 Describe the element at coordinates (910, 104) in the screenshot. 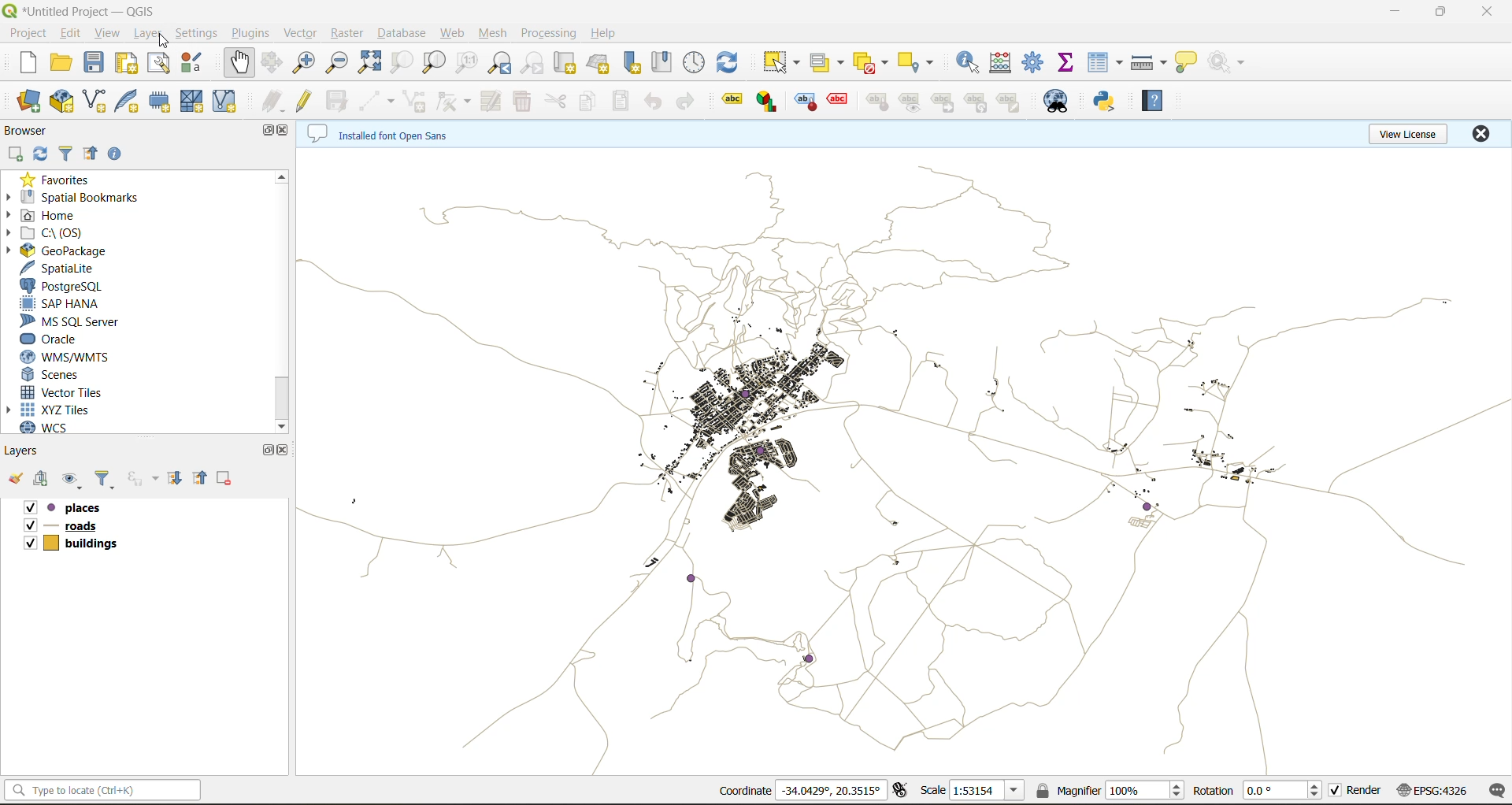

I see `label tool 6` at that location.